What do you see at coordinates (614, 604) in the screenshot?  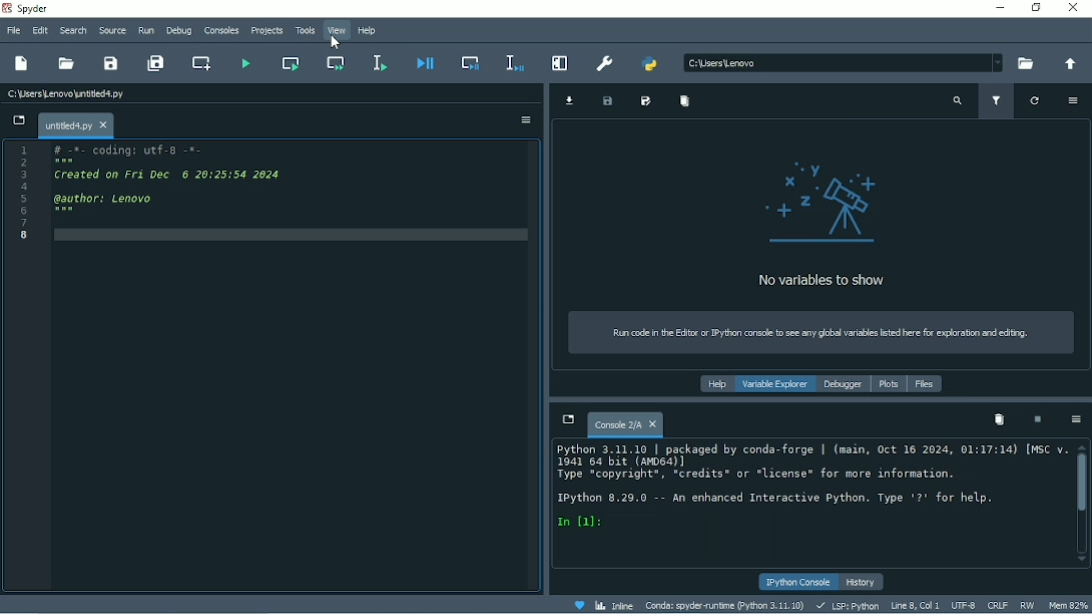 I see `Inline` at bounding box center [614, 604].